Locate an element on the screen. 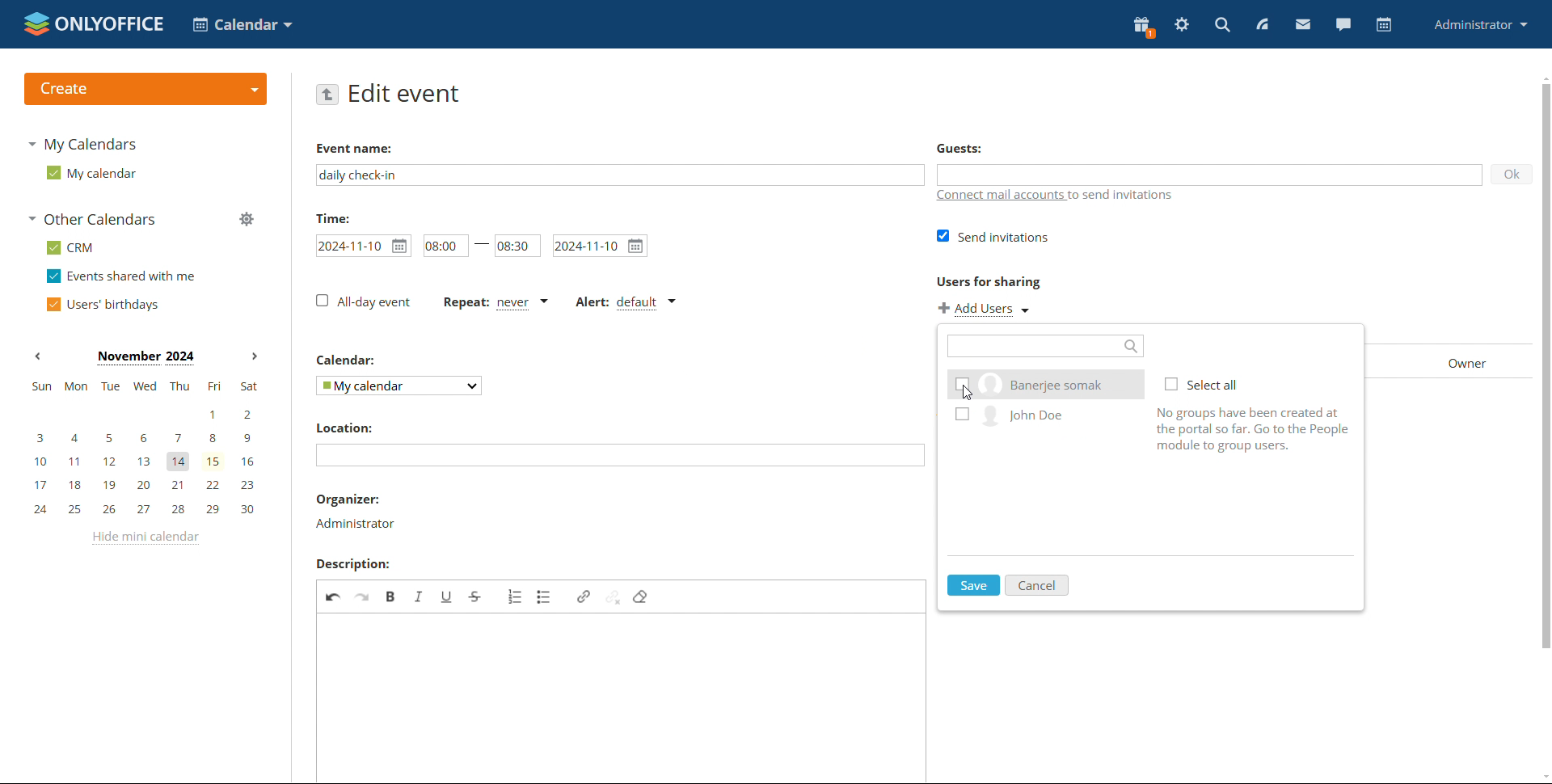  underline is located at coordinates (446, 596).